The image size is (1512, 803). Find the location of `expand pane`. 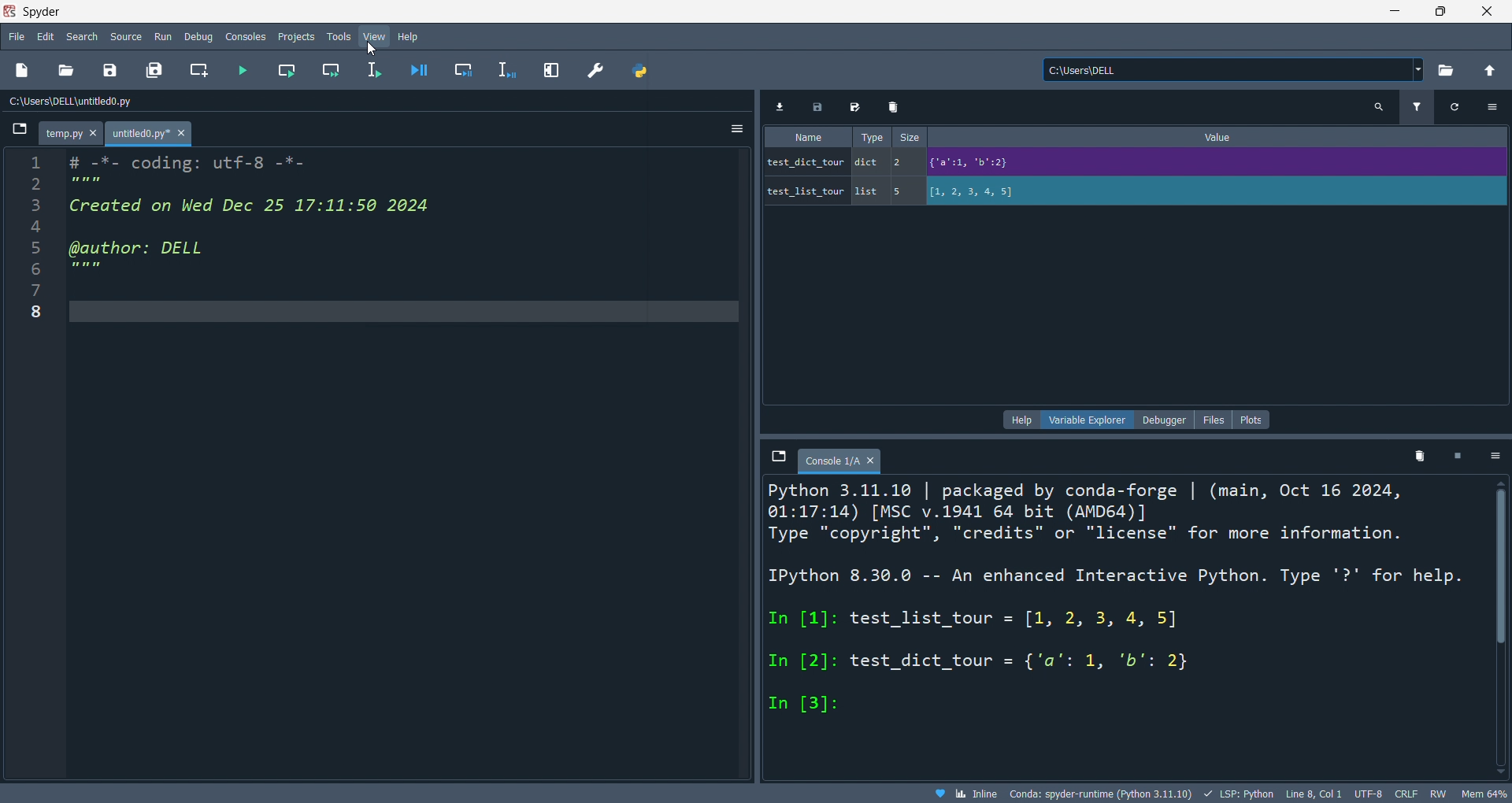

expand pane is located at coordinates (554, 68).